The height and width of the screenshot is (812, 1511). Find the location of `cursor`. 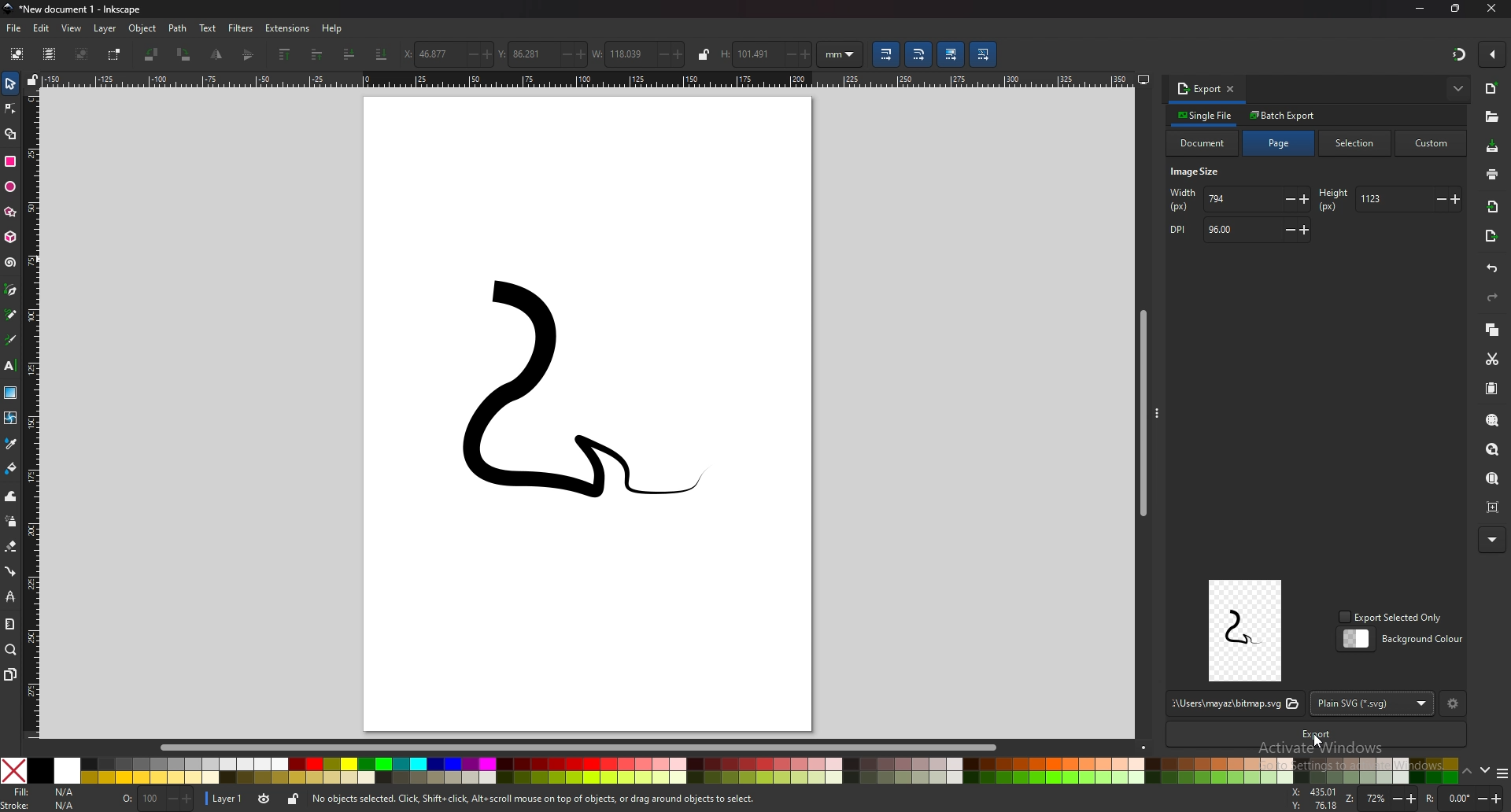

cursor is located at coordinates (1318, 740).